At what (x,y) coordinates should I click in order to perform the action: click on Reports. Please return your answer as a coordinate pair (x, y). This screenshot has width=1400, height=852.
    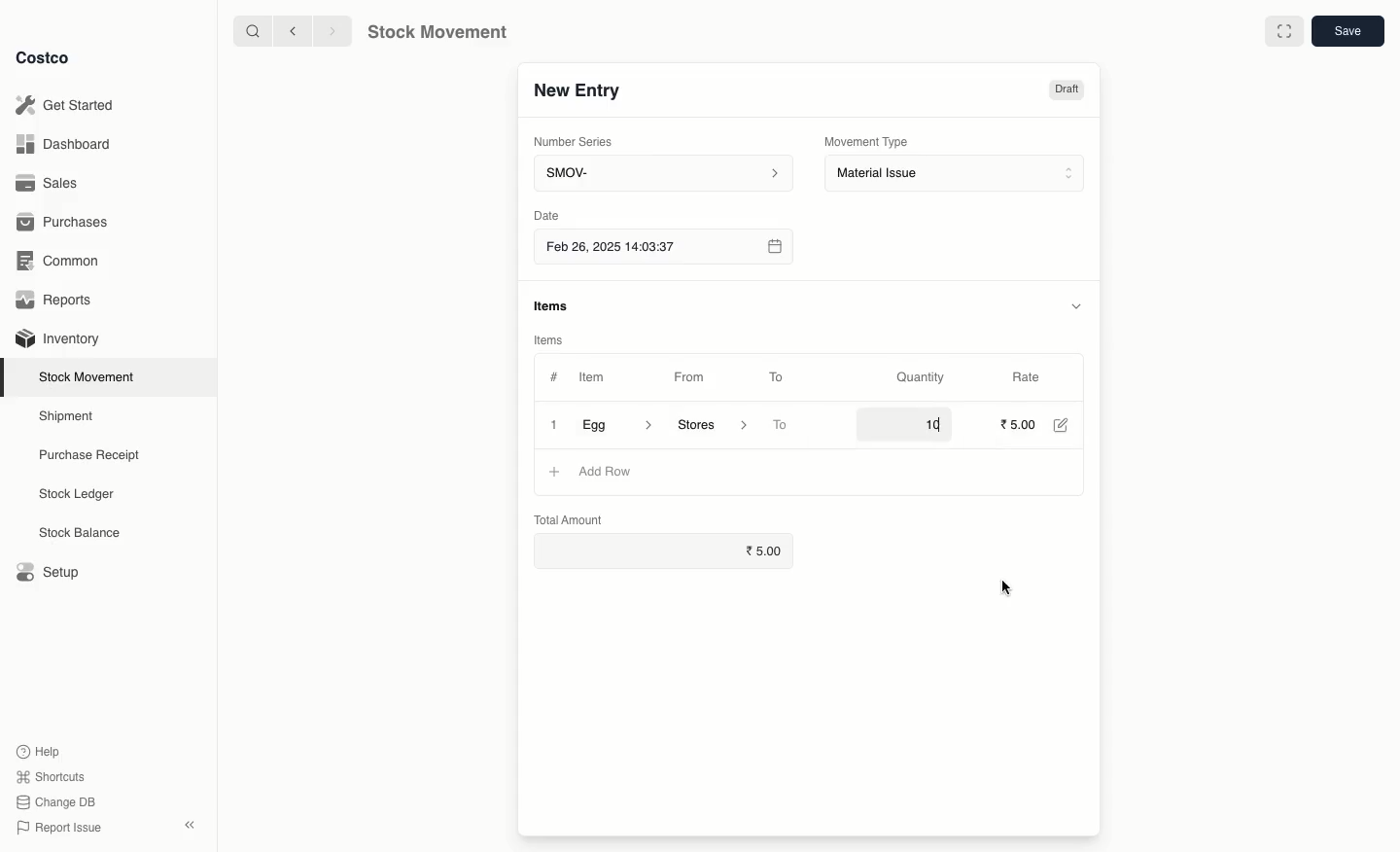
    Looking at the image, I should click on (58, 300).